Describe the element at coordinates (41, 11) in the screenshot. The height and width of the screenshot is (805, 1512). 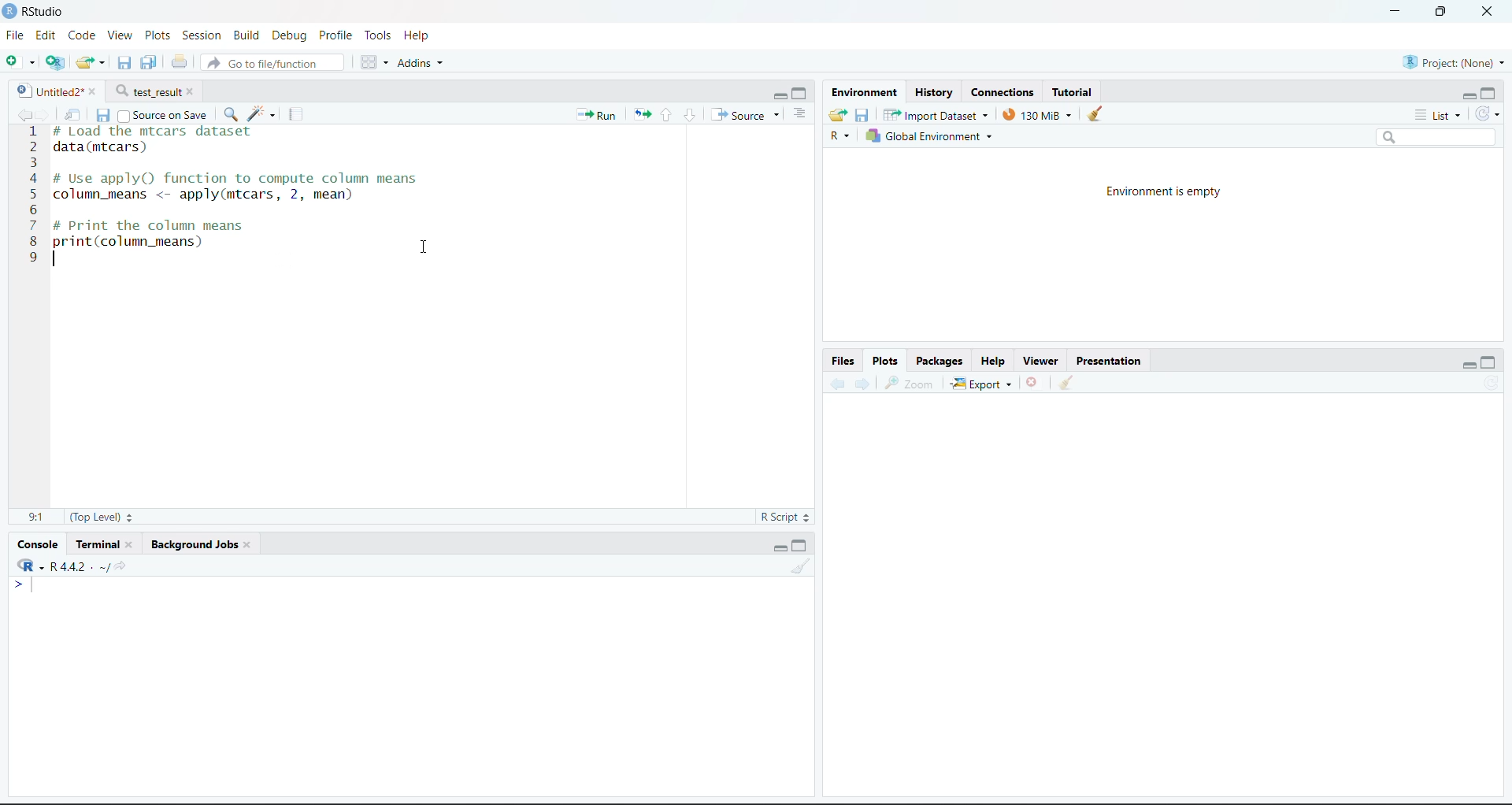
I see `RStudio` at that location.